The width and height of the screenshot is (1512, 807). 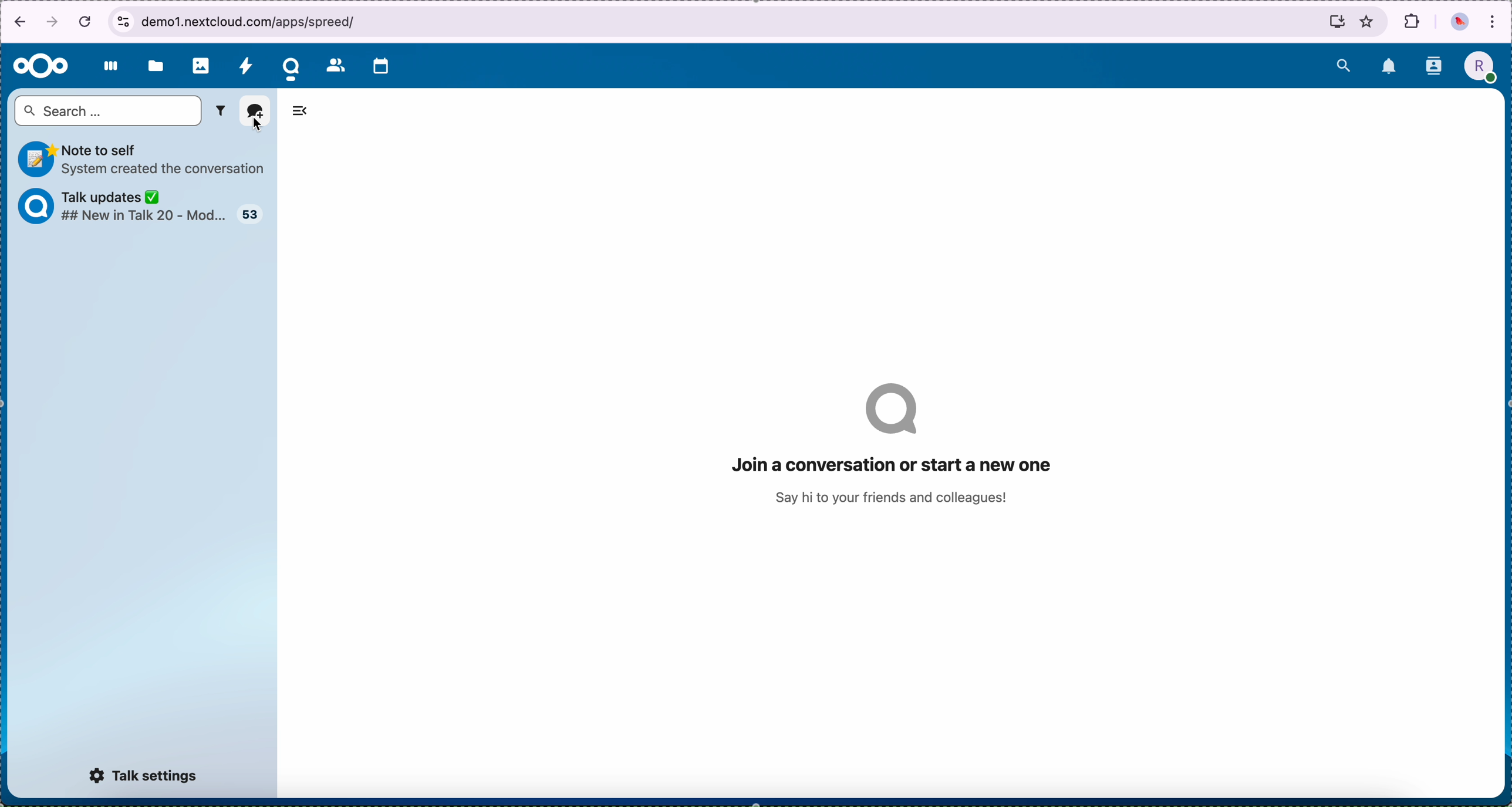 I want to click on cancel, so click(x=86, y=16).